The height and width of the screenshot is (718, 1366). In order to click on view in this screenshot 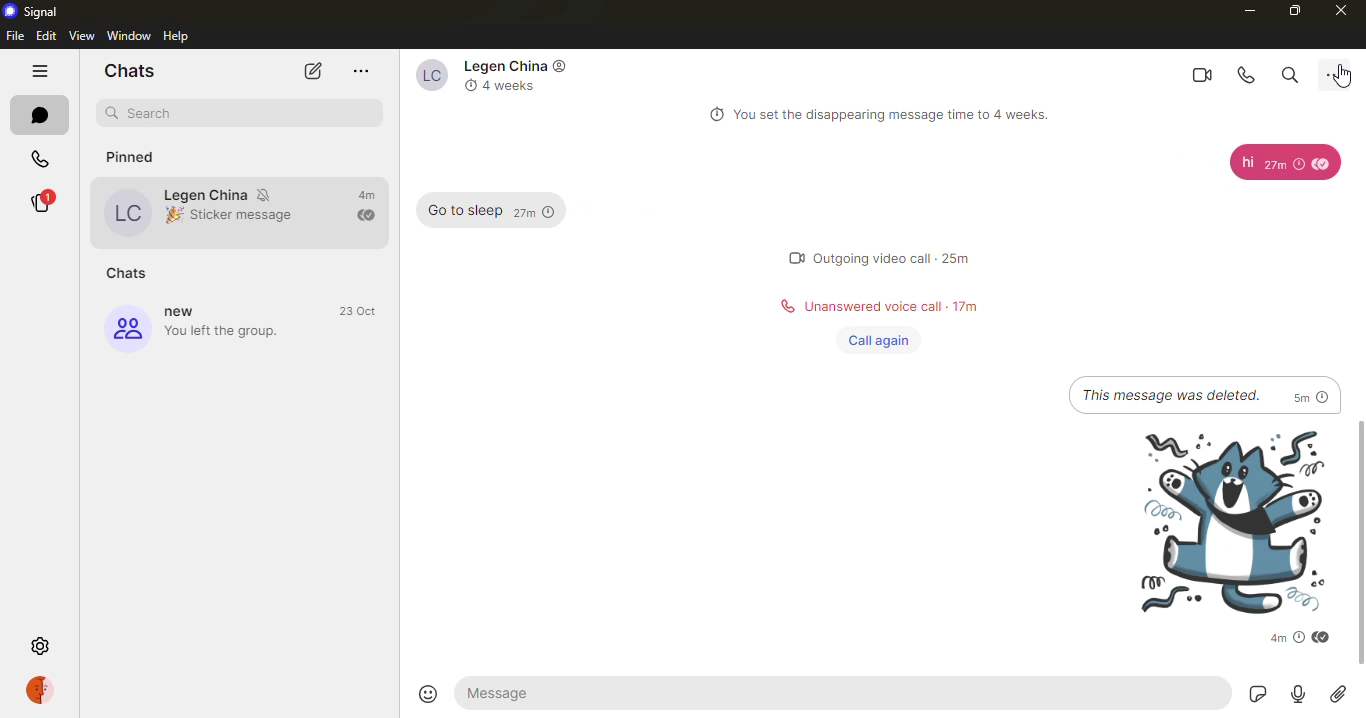, I will do `click(82, 35)`.